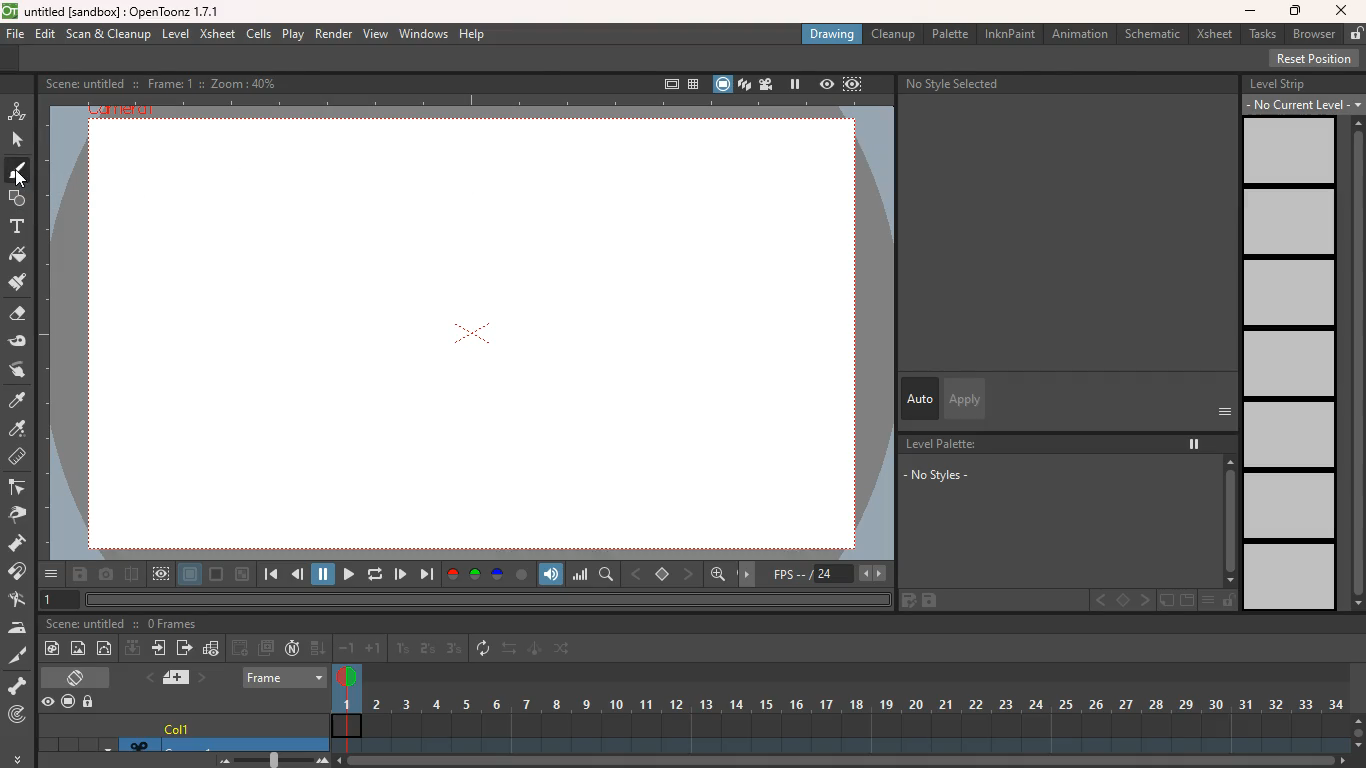  I want to click on level, so click(1289, 577).